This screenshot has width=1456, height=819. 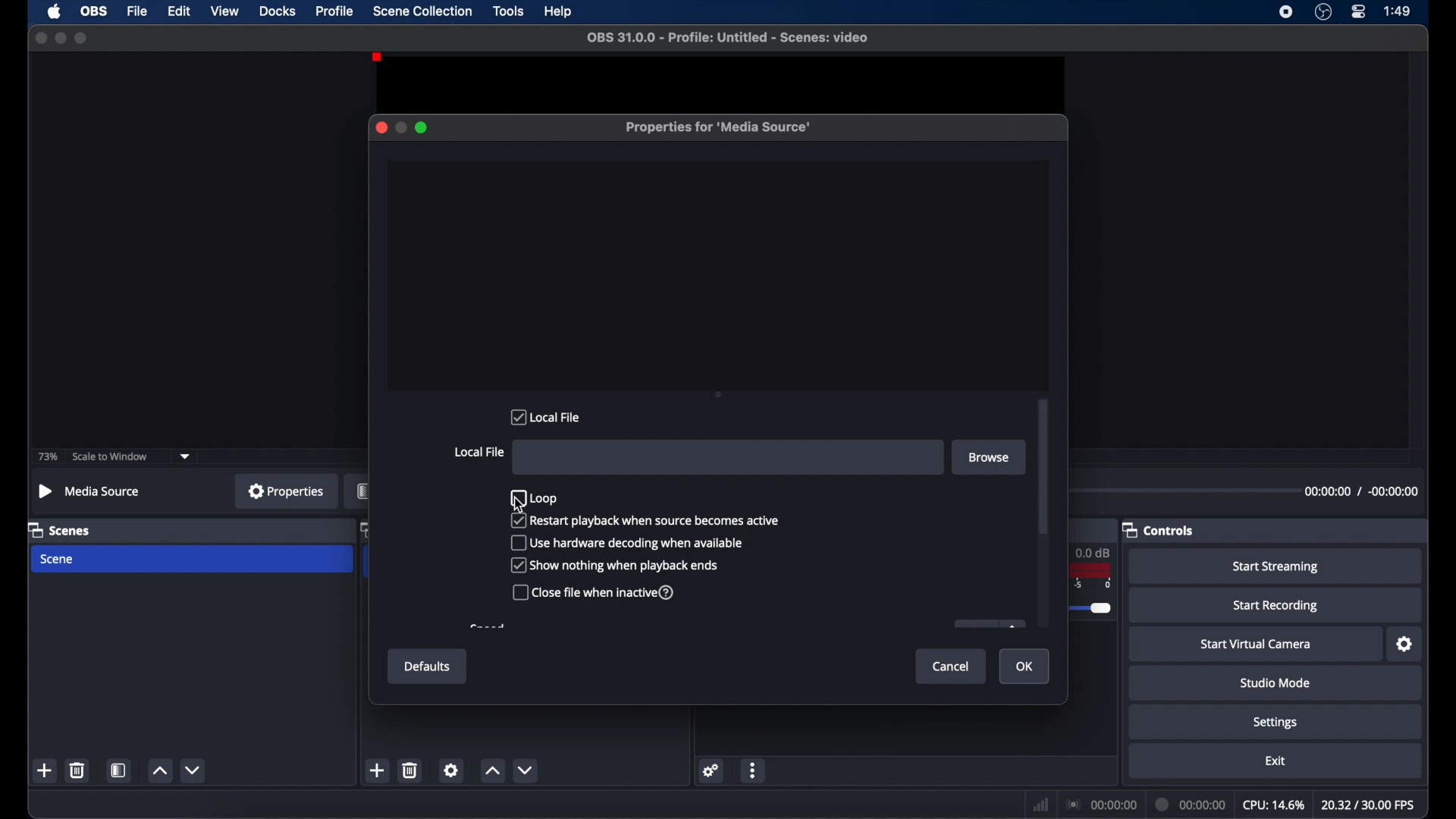 I want to click on cancel, so click(x=954, y=667).